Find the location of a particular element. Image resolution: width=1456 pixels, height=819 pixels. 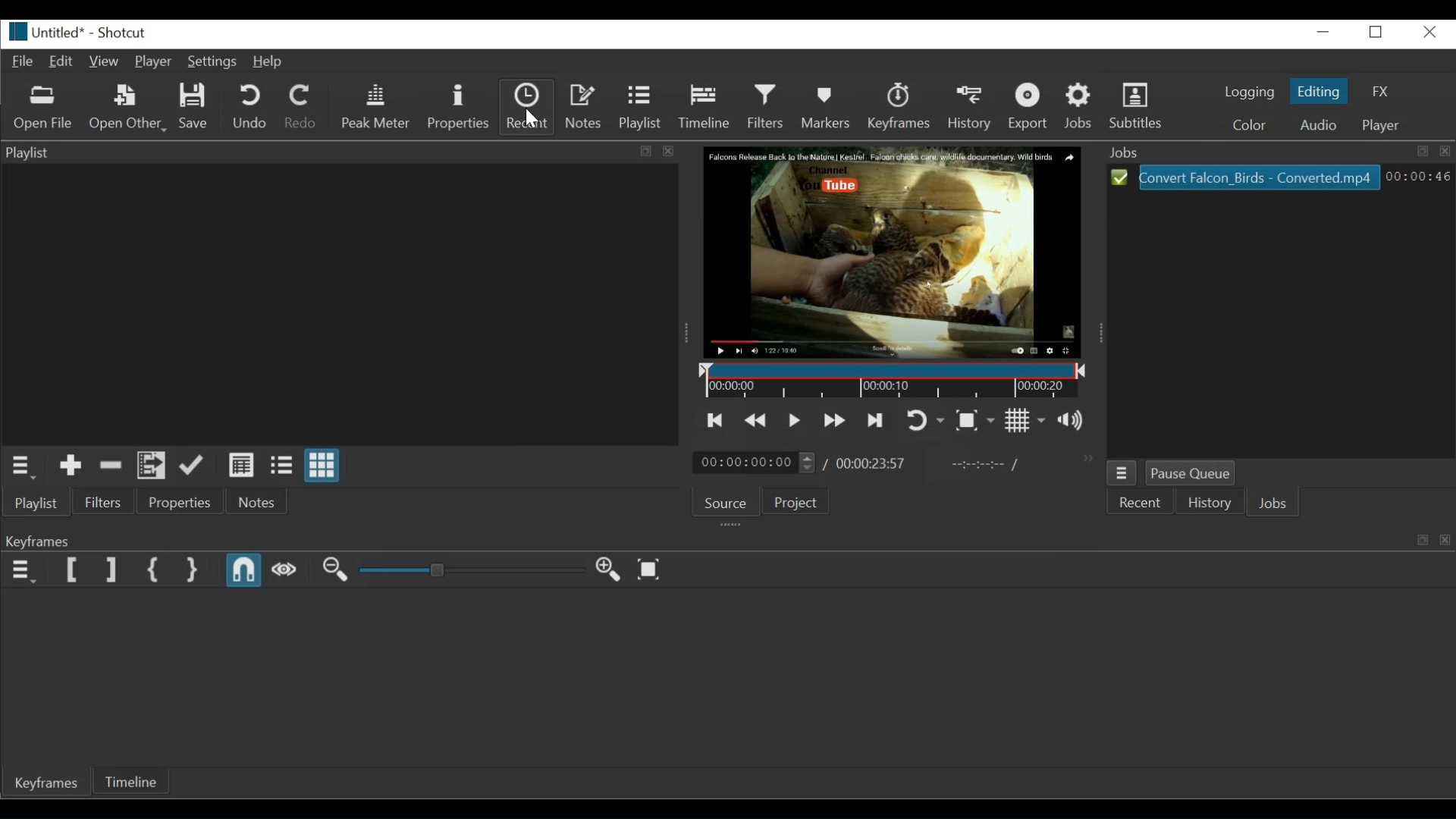

Scrub while dragging is located at coordinates (286, 570).